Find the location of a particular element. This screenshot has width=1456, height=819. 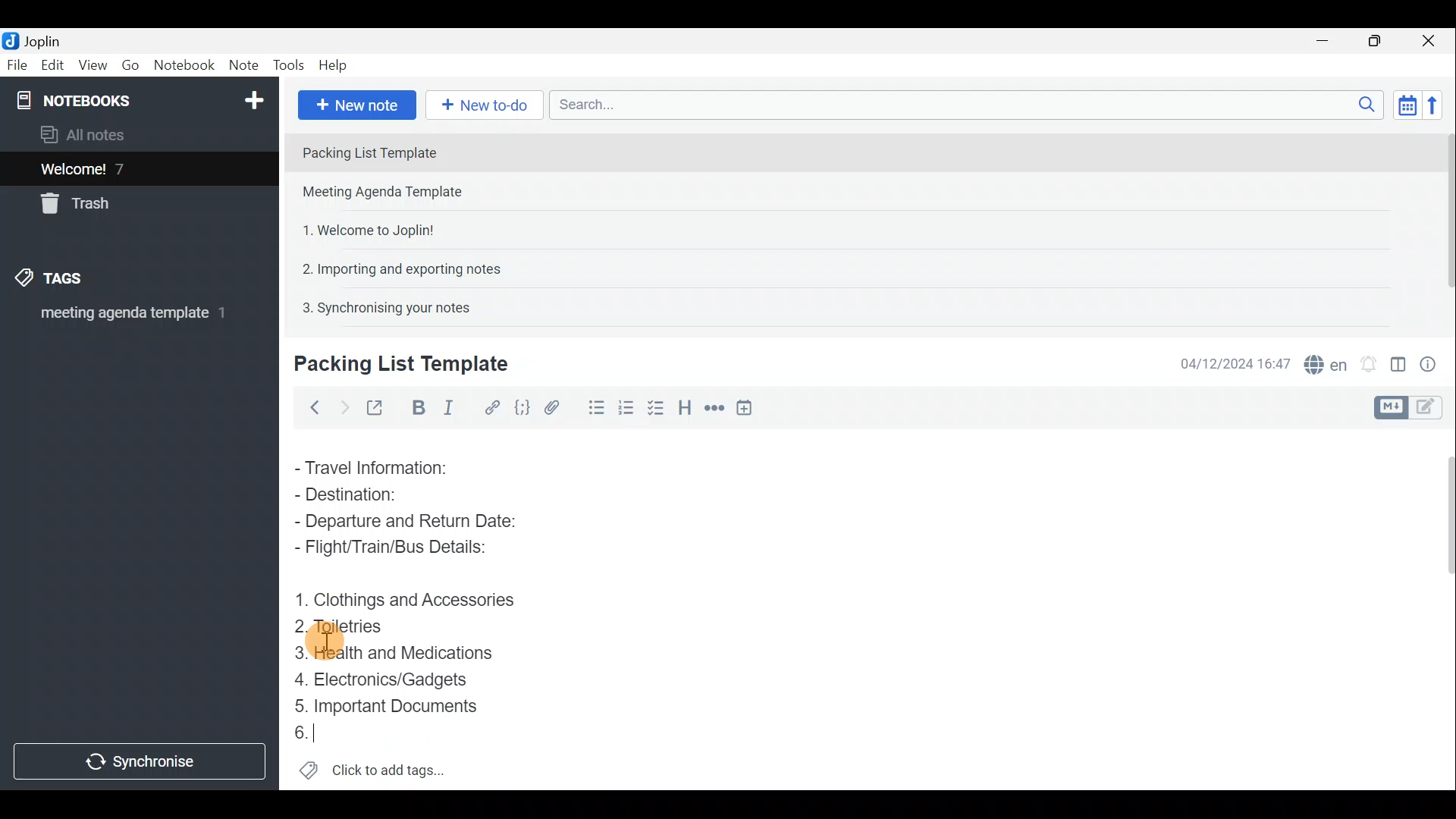

Cursor is located at coordinates (300, 732).